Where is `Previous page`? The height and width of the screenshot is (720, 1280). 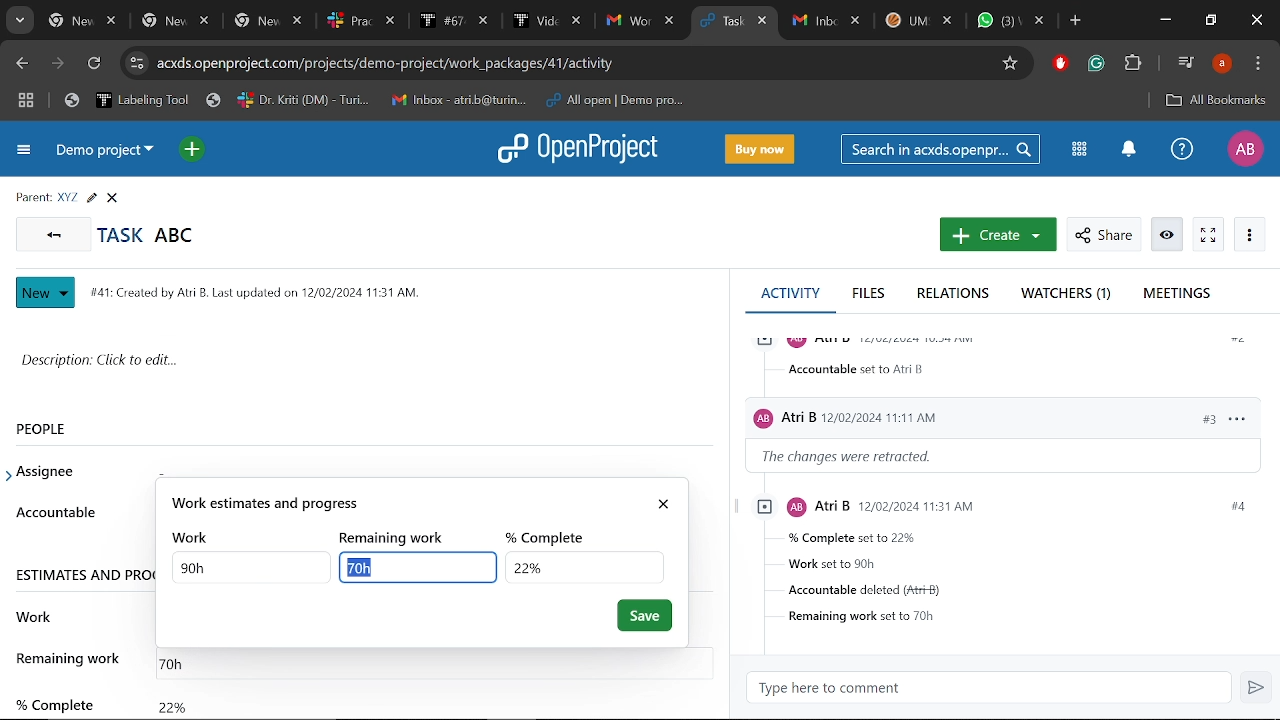 Previous page is located at coordinates (21, 63).